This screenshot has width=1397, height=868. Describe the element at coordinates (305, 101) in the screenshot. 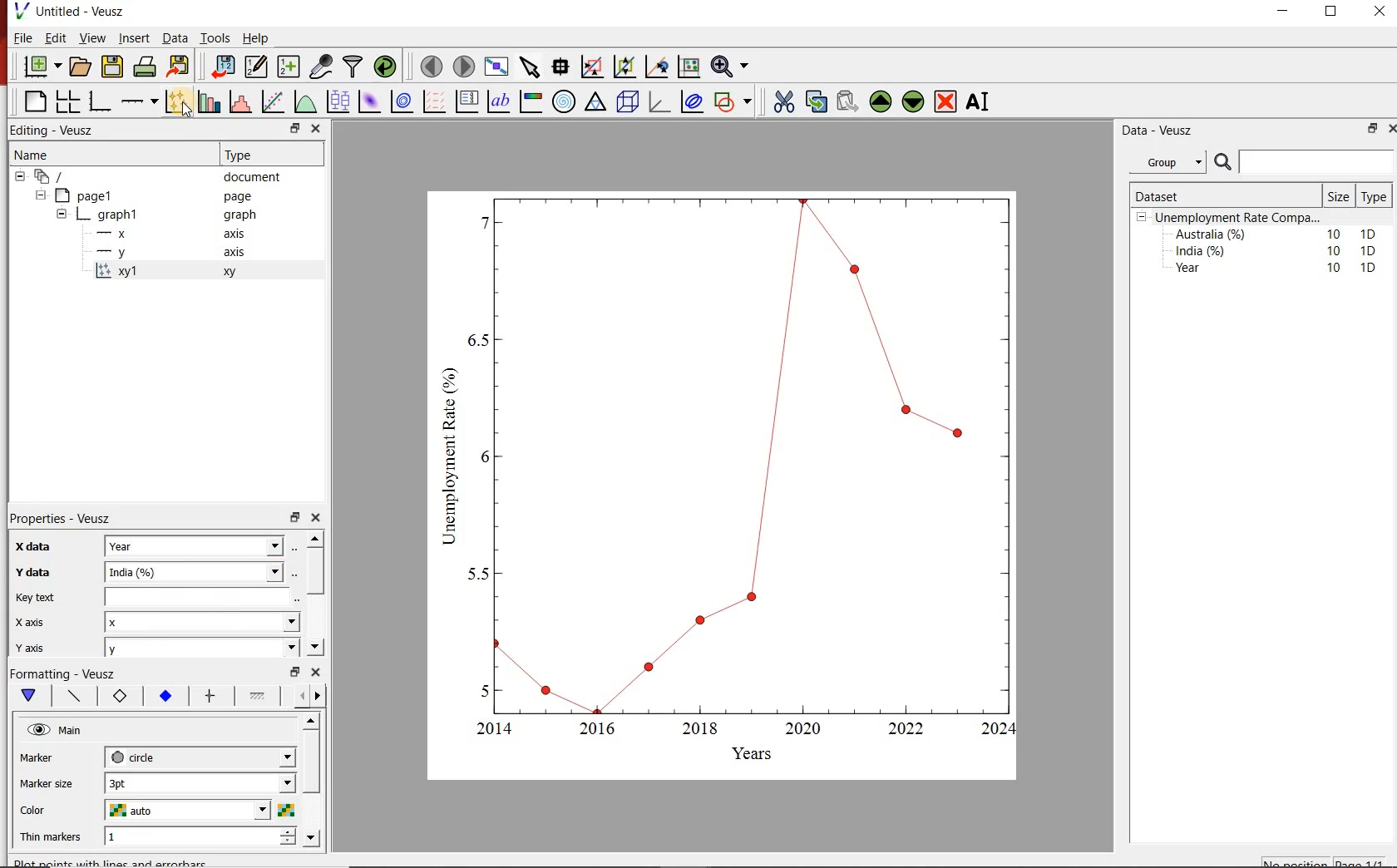

I see `plot a function` at that location.